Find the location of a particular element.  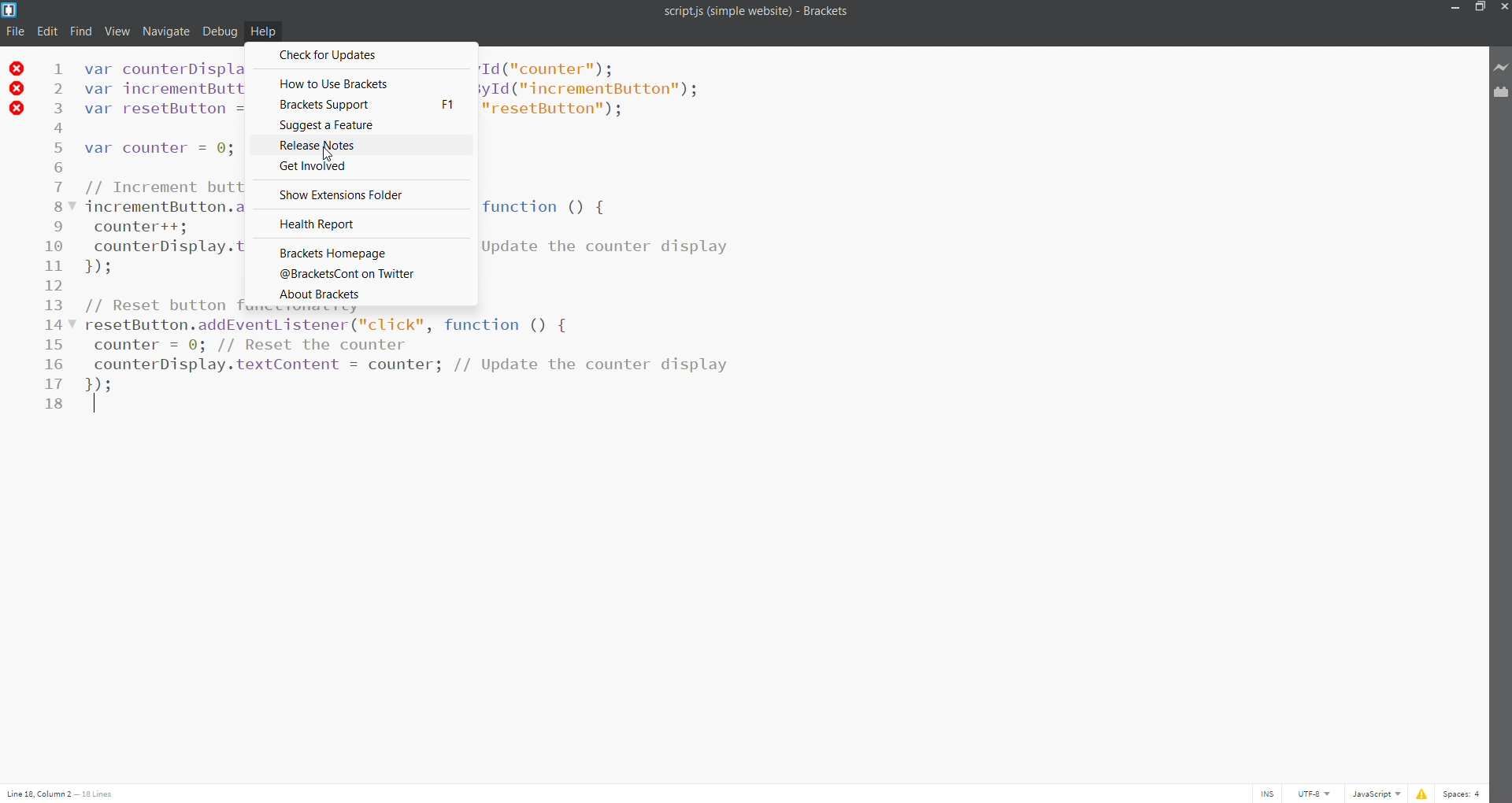

text pointer is located at coordinates (95, 406).